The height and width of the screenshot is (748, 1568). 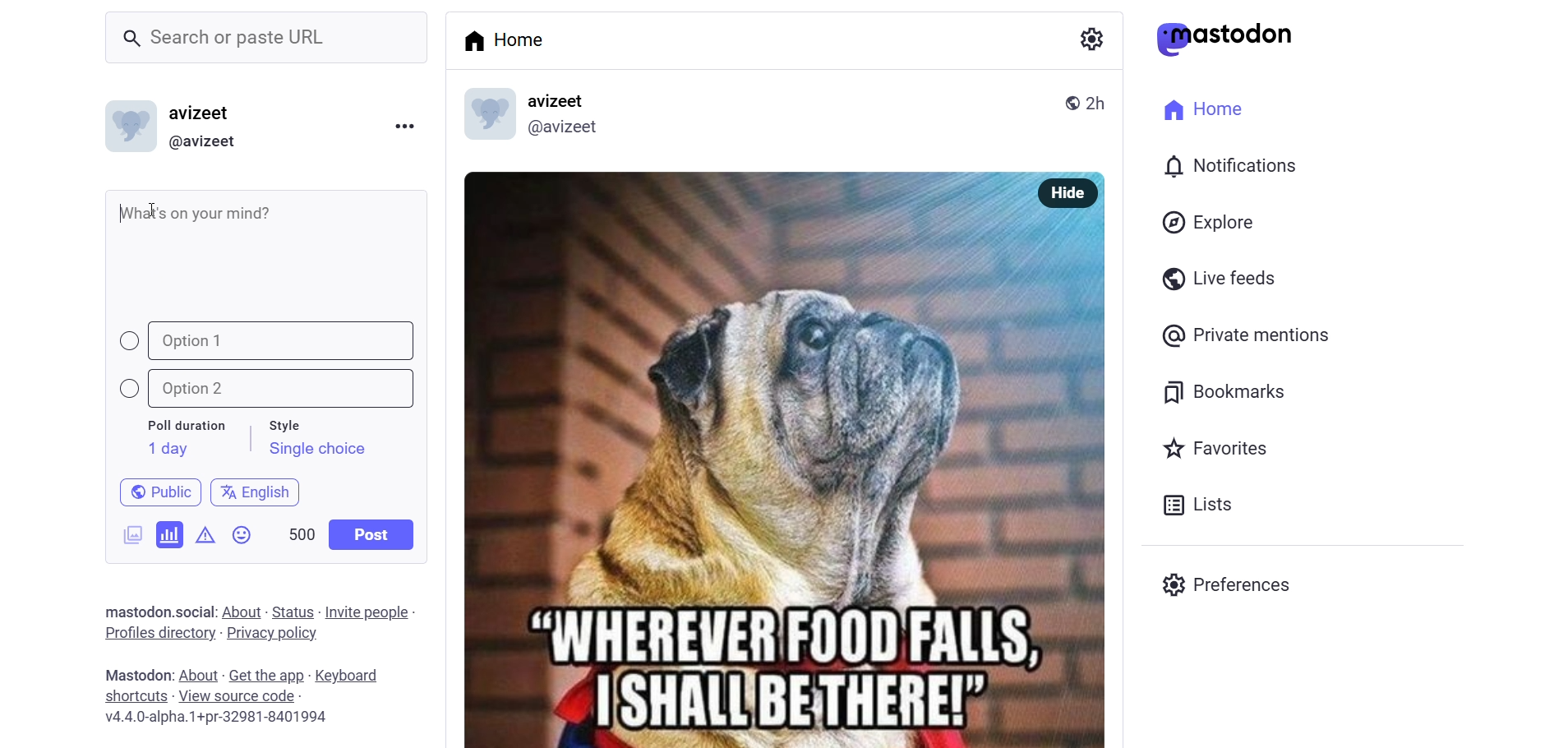 I want to click on duration, so click(x=187, y=427).